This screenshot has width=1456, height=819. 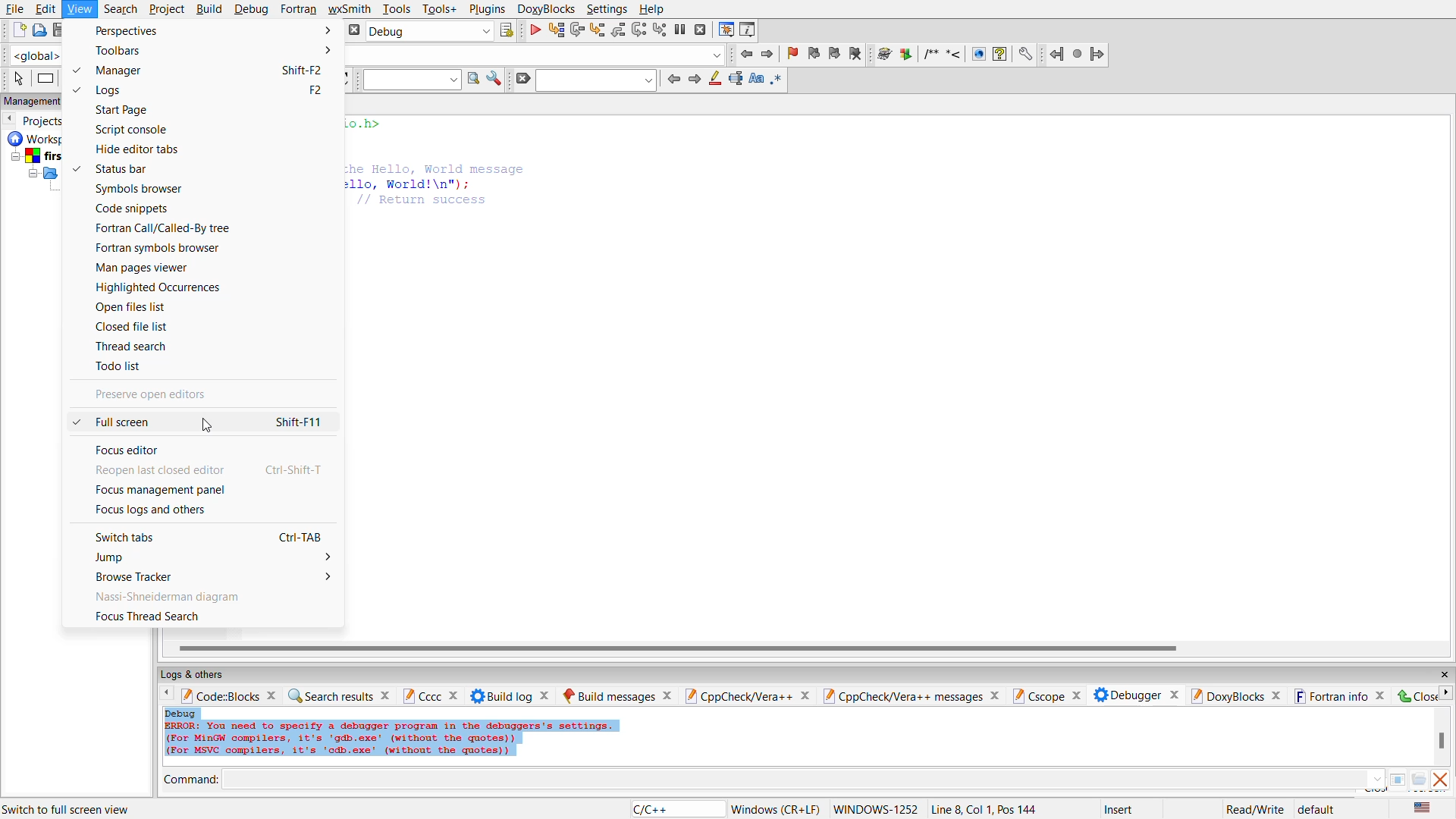 What do you see at coordinates (682, 31) in the screenshot?
I see `break debugger` at bounding box center [682, 31].